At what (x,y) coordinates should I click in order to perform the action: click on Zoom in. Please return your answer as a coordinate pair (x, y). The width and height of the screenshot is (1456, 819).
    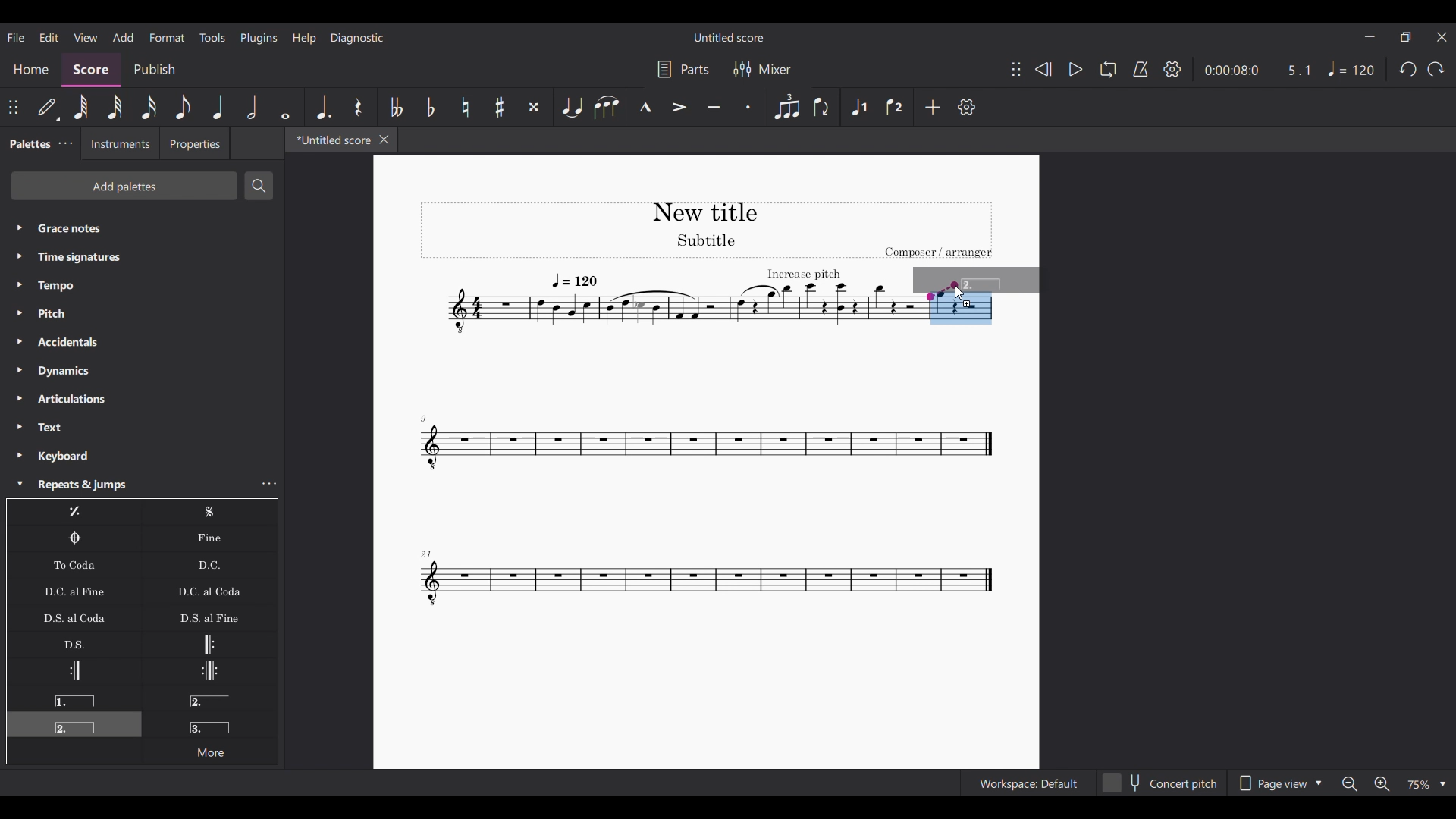
    Looking at the image, I should click on (1382, 783).